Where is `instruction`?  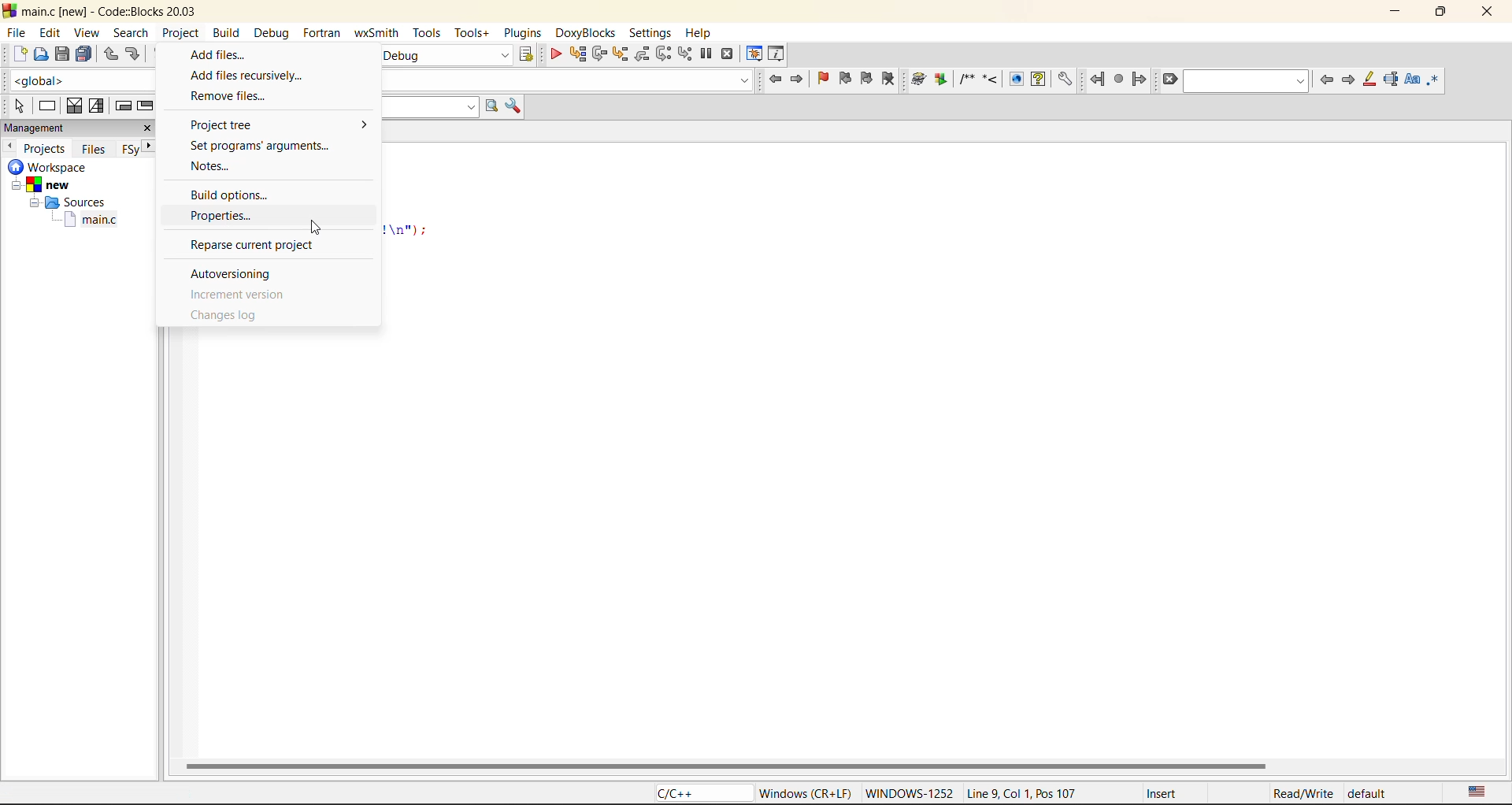 instruction is located at coordinates (47, 106).